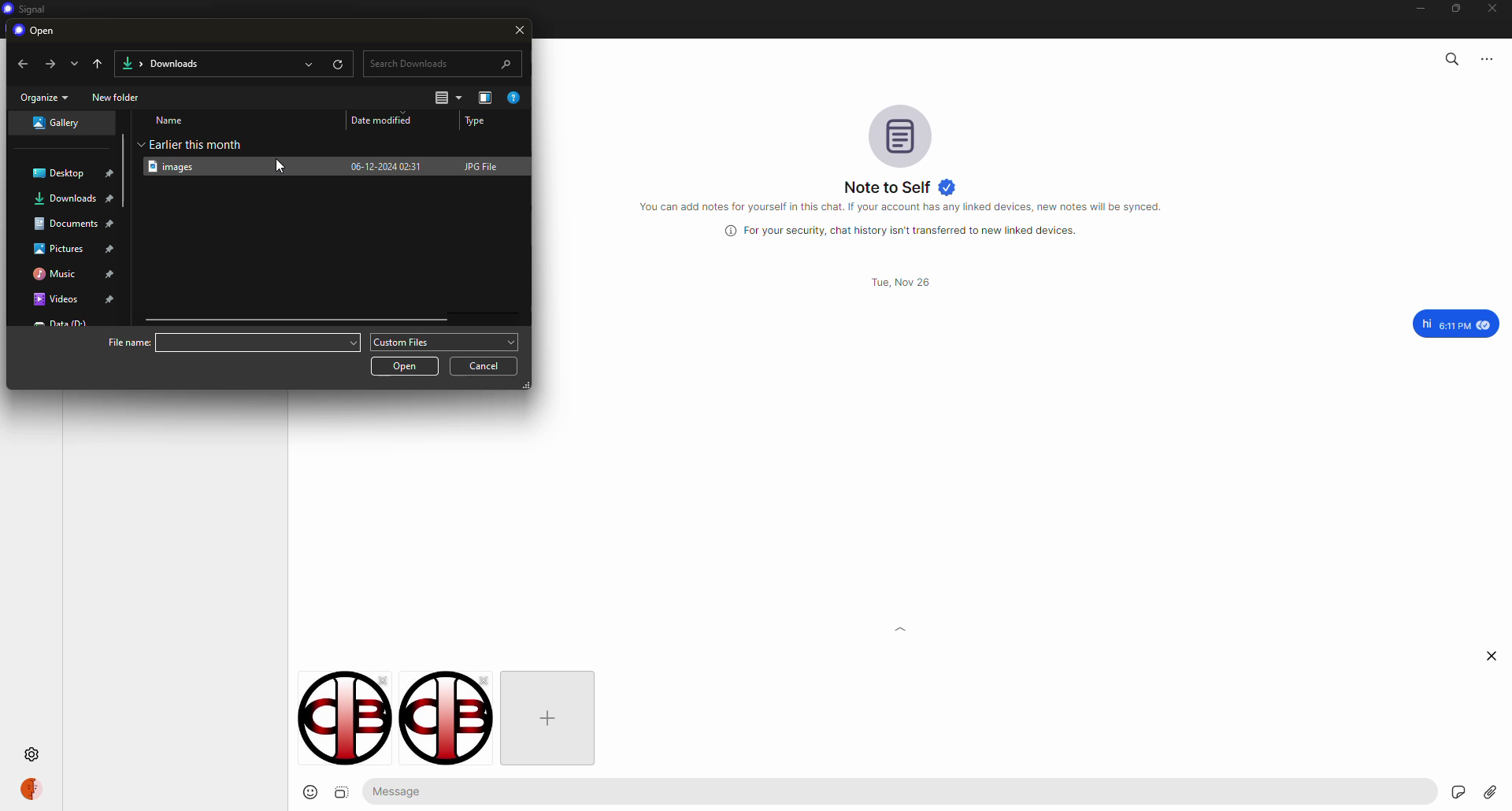  I want to click on location, so click(61, 171).